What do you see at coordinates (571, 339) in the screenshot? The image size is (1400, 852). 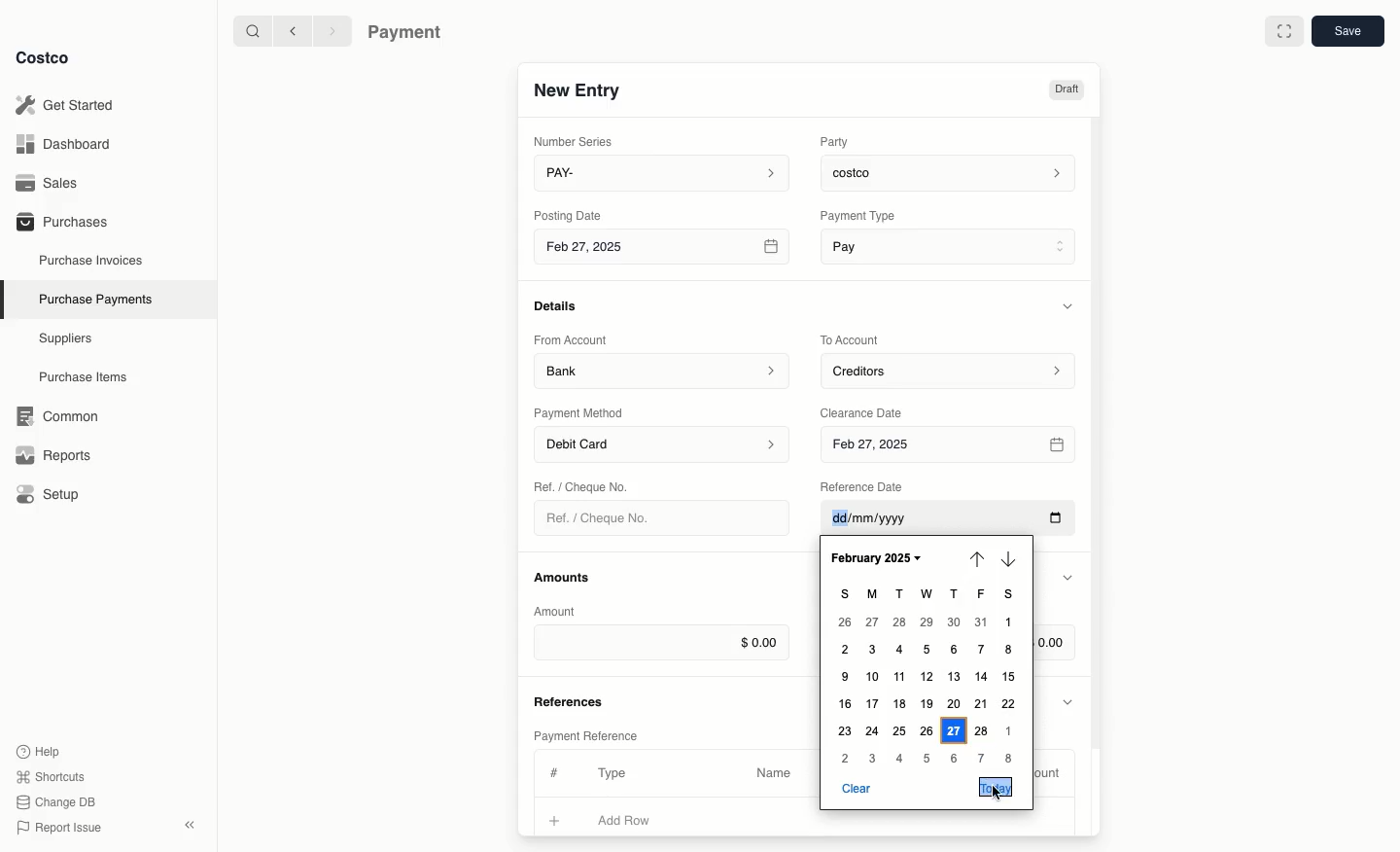 I see `From Account` at bounding box center [571, 339].